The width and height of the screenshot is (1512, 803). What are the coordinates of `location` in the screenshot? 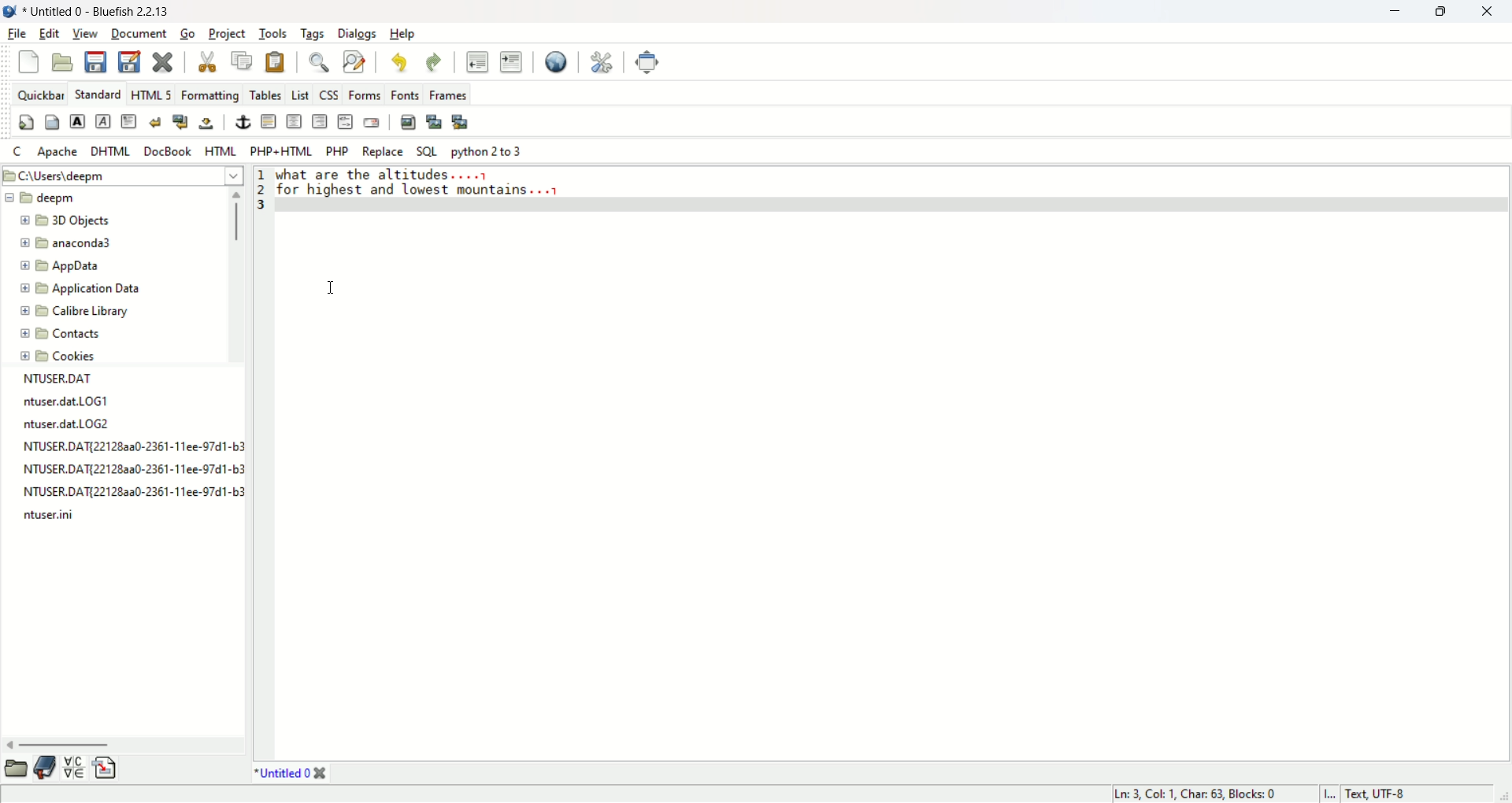 It's located at (121, 173).